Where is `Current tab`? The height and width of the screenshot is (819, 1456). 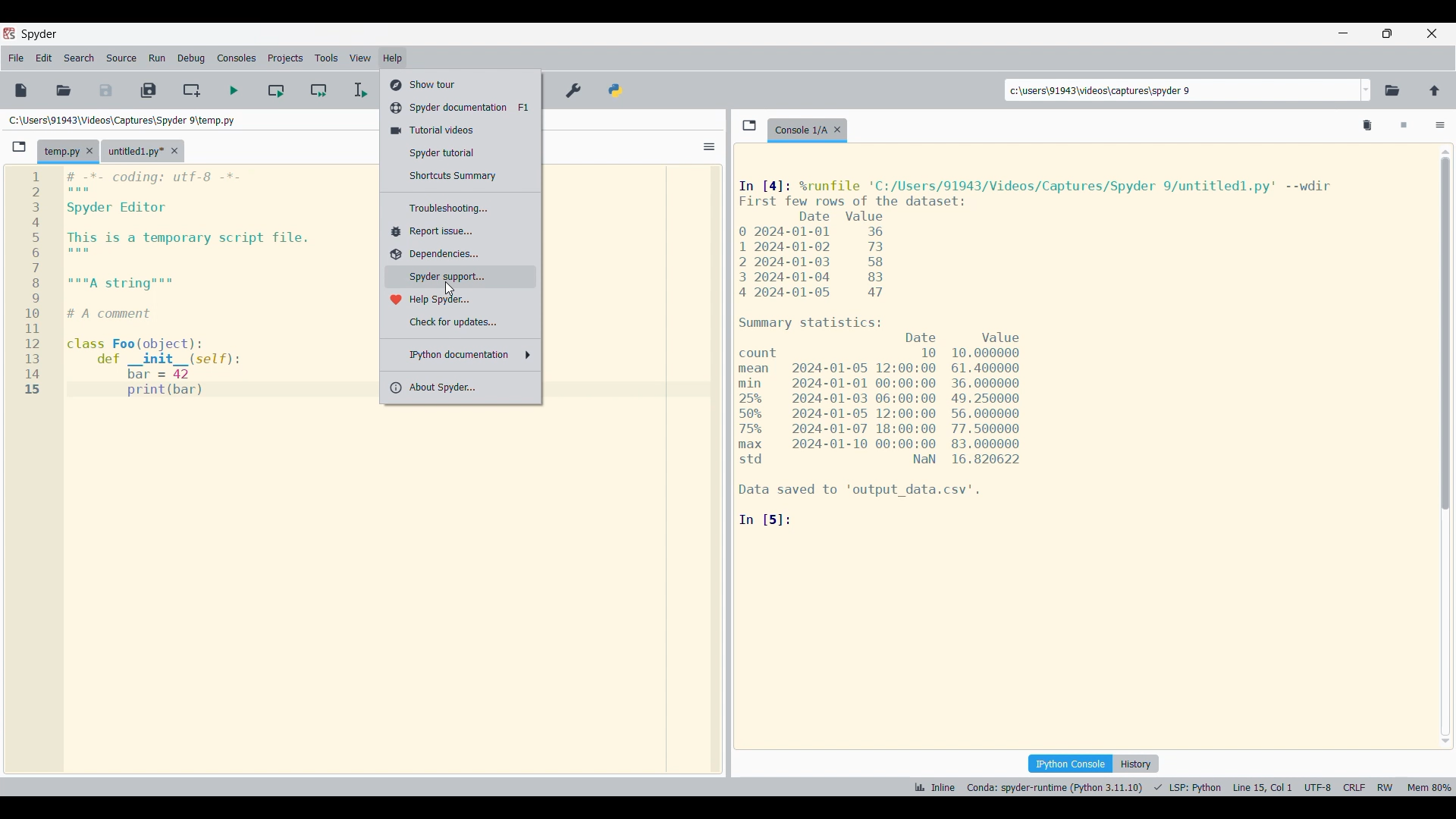
Current tab is located at coordinates (800, 130).